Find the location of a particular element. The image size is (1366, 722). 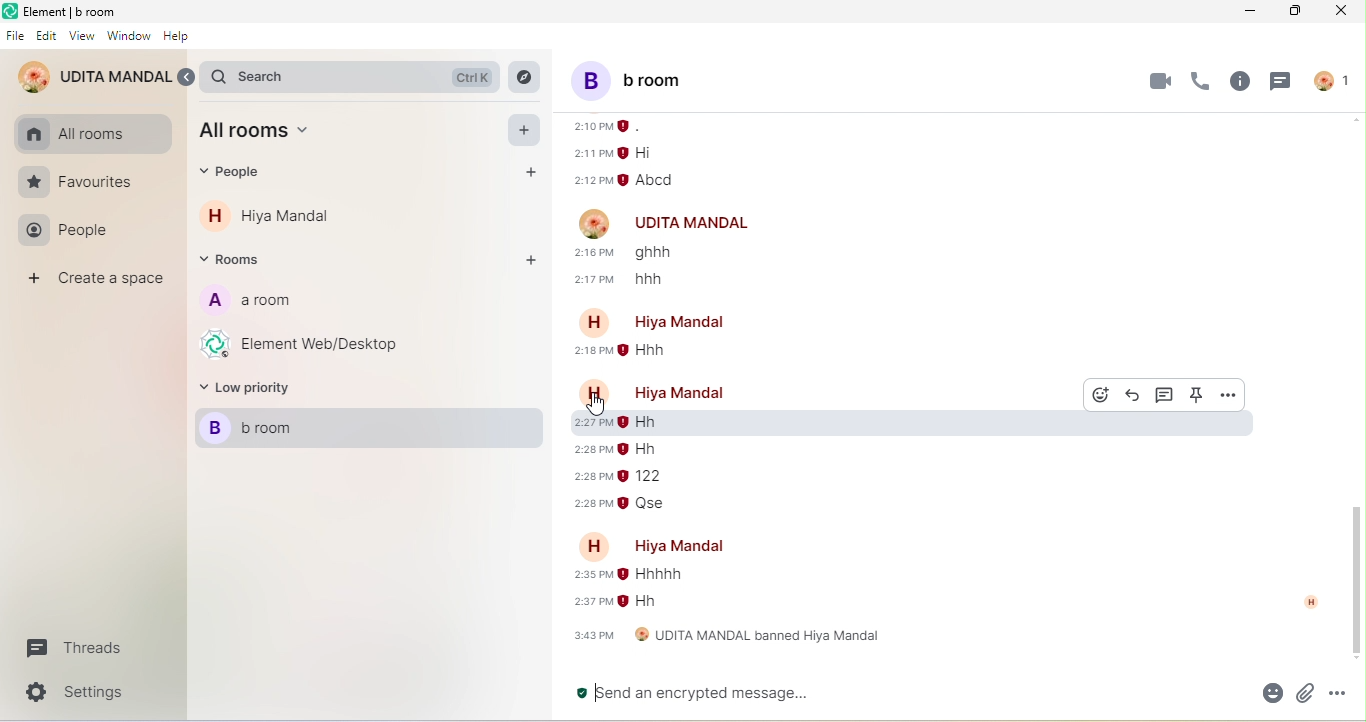

emoji is located at coordinates (1273, 690).